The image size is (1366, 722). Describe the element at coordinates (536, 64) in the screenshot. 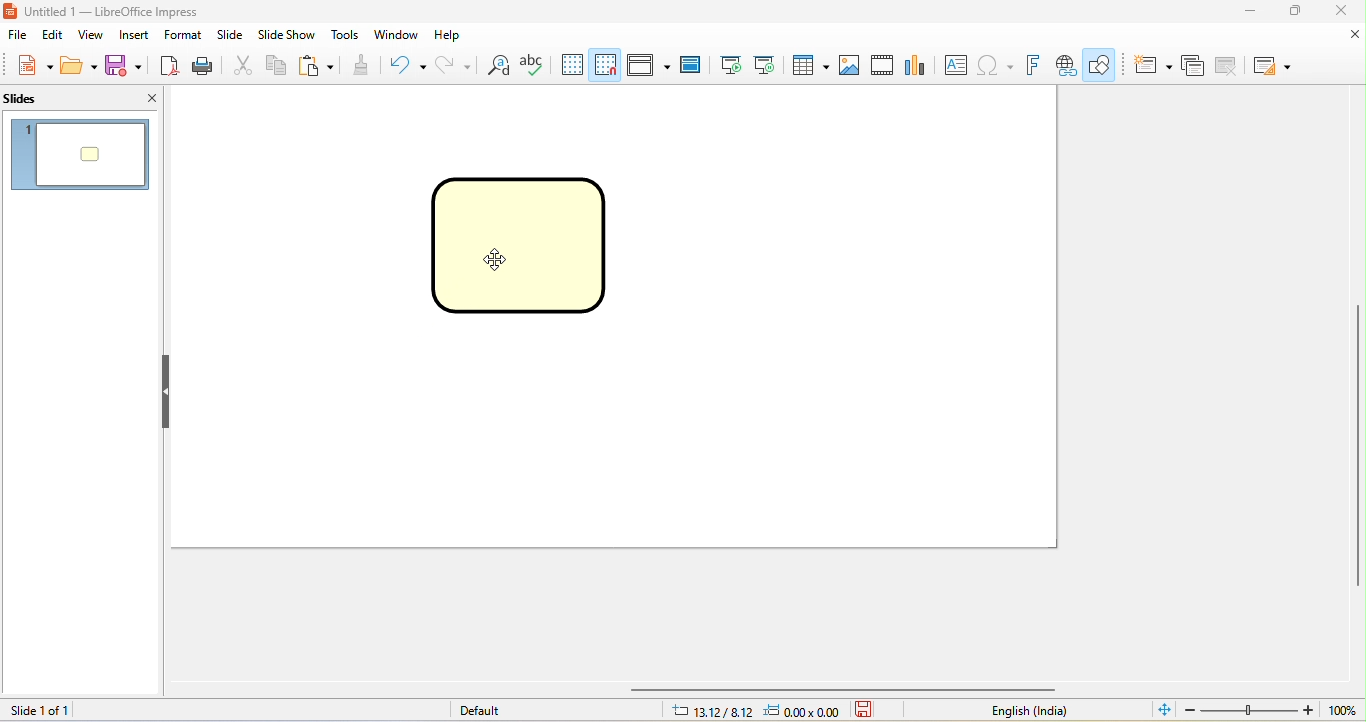

I see `spelling` at that location.